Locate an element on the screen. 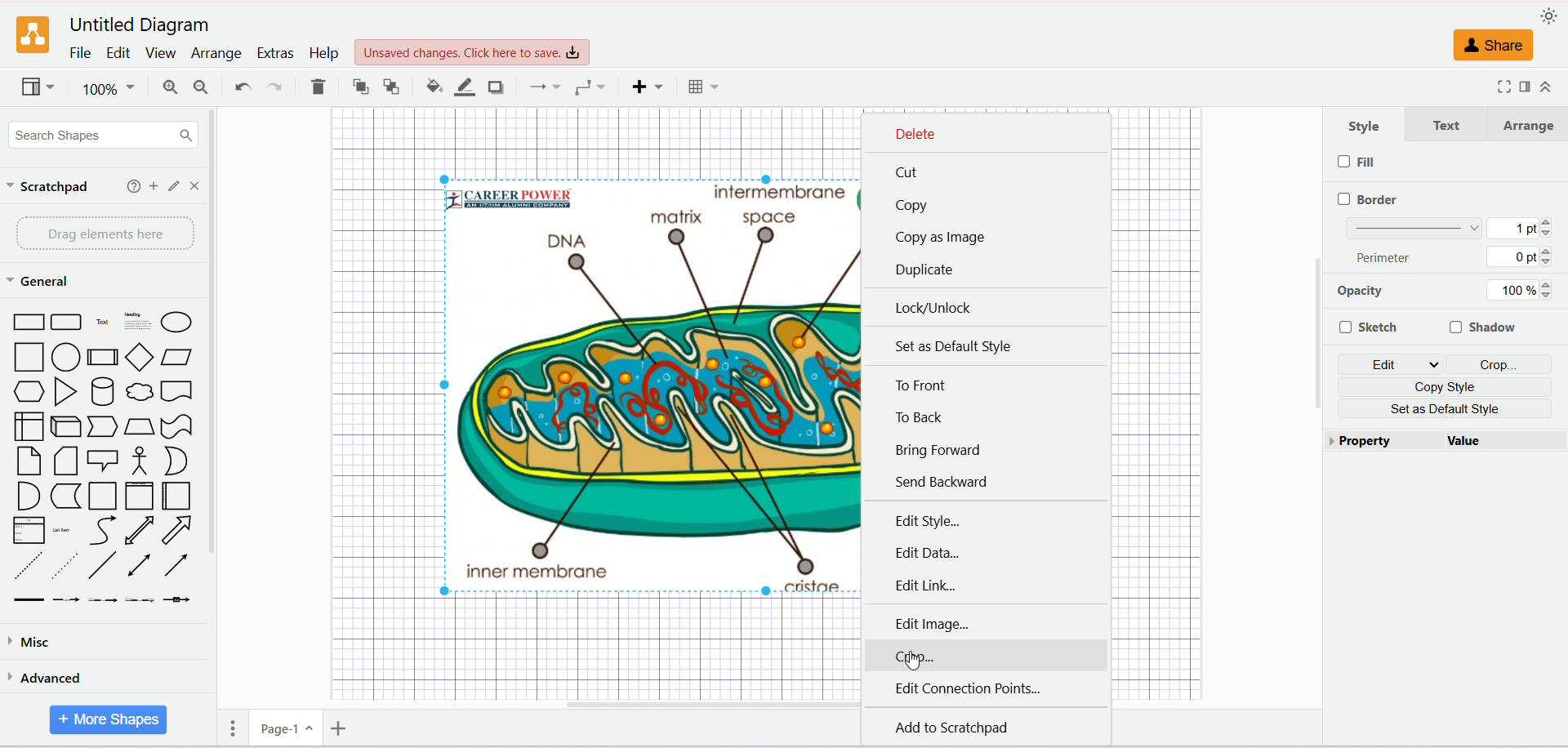 The width and height of the screenshot is (1568, 748). undo is located at coordinates (238, 86).